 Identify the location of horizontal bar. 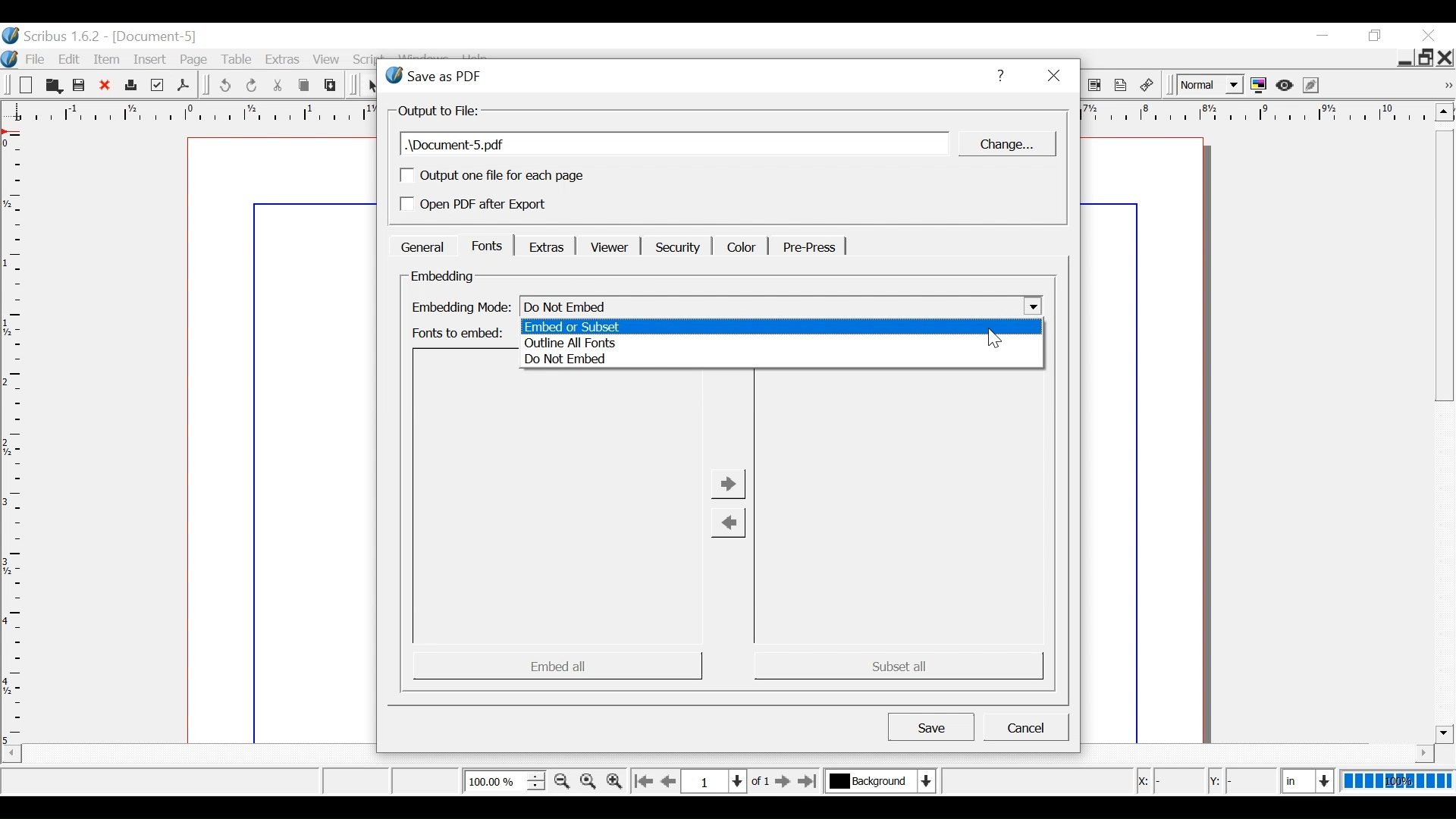
(1404, 753).